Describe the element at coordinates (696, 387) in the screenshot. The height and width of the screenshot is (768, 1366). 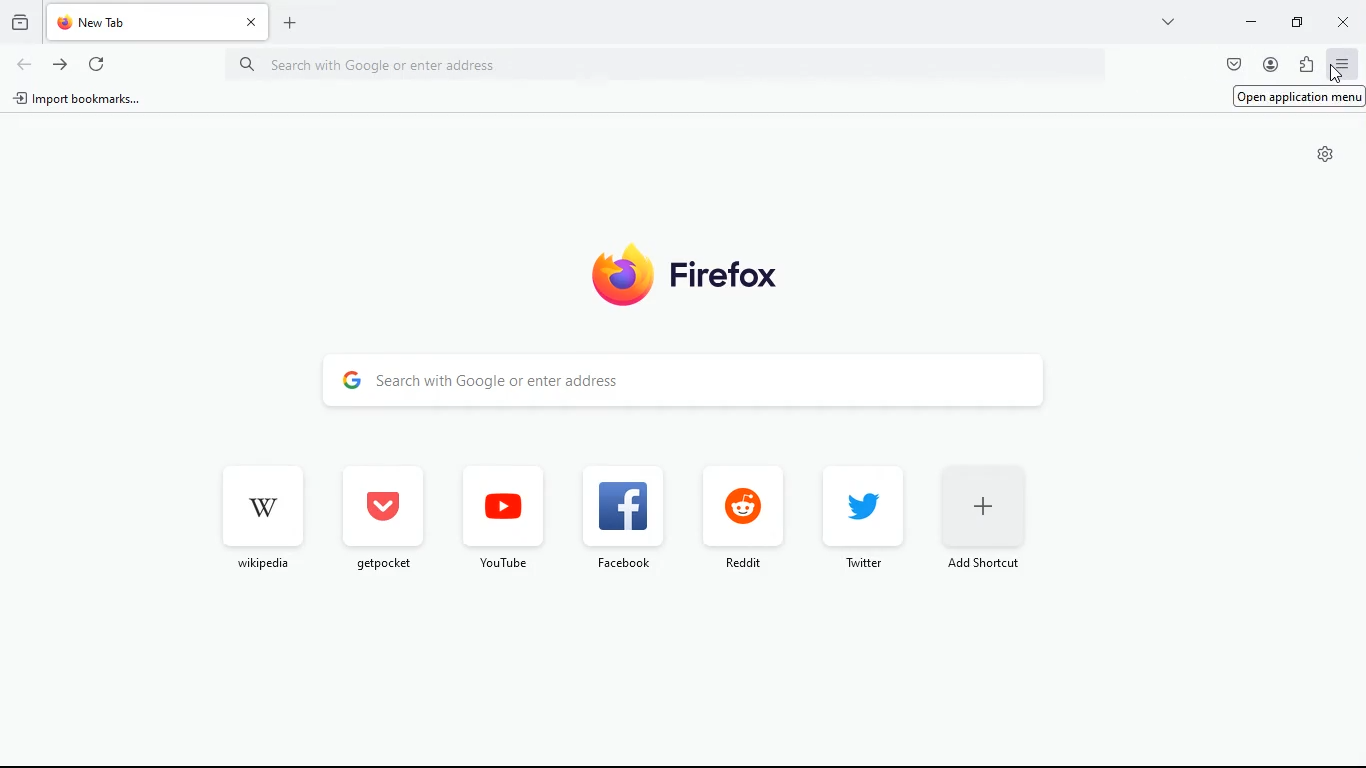
I see `search` at that location.